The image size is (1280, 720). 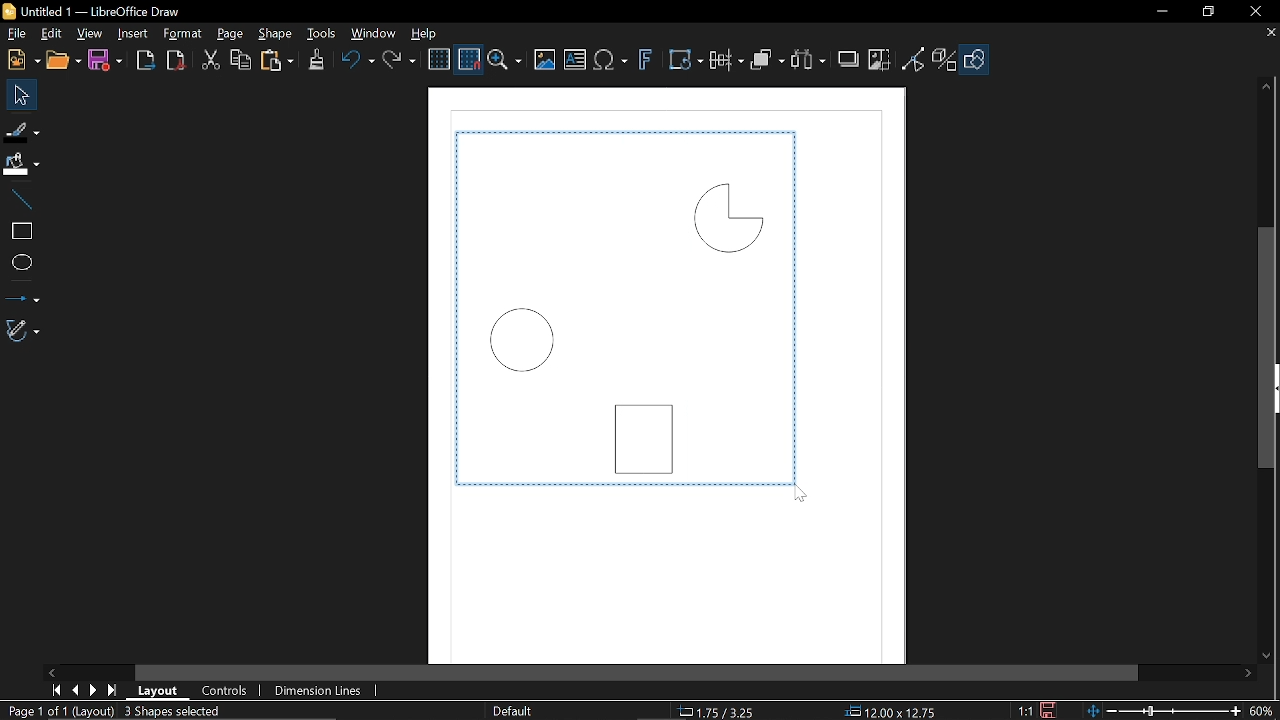 What do you see at coordinates (1250, 675) in the screenshot?
I see `Move right` at bounding box center [1250, 675].